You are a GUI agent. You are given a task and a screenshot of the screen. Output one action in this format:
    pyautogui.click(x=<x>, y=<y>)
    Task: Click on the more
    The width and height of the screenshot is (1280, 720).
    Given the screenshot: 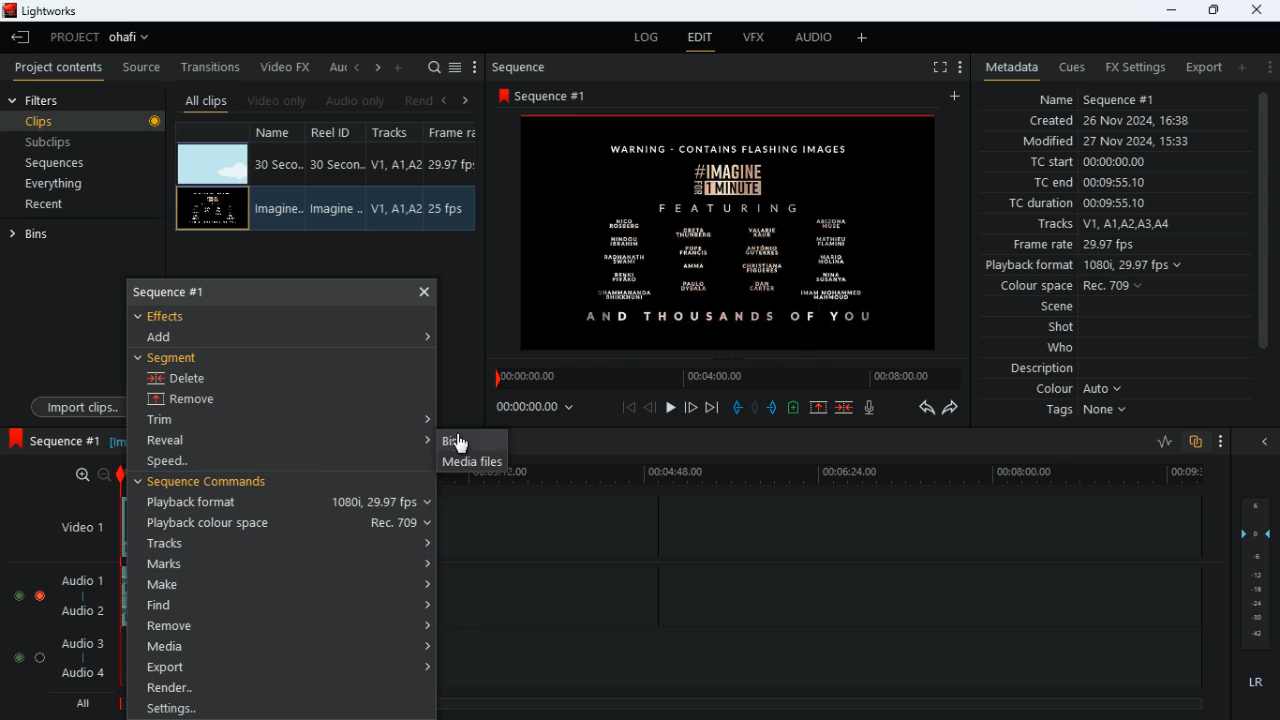 What is the action you would take?
    pyautogui.click(x=475, y=67)
    